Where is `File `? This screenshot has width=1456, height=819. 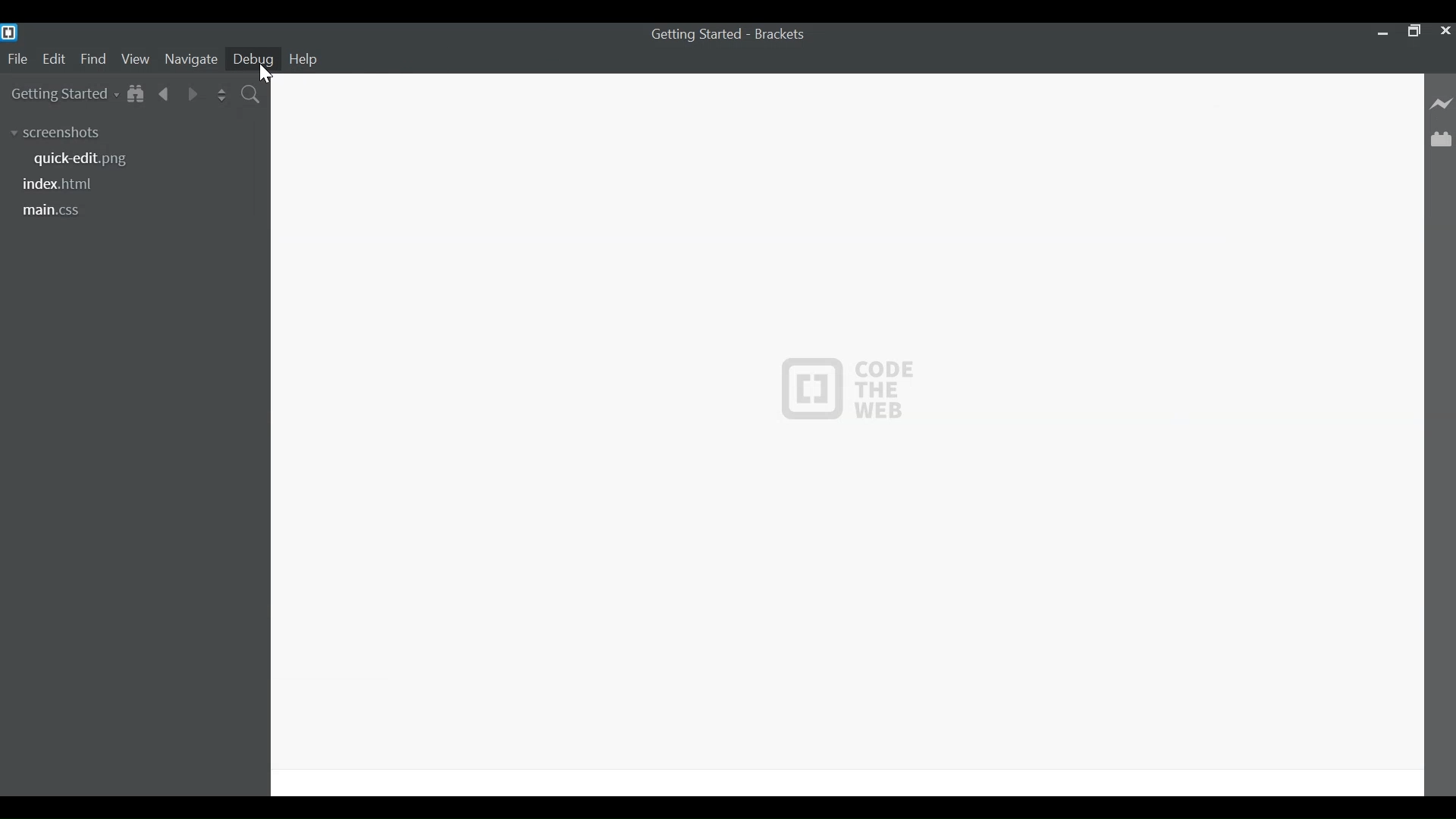
File  is located at coordinates (14, 58).